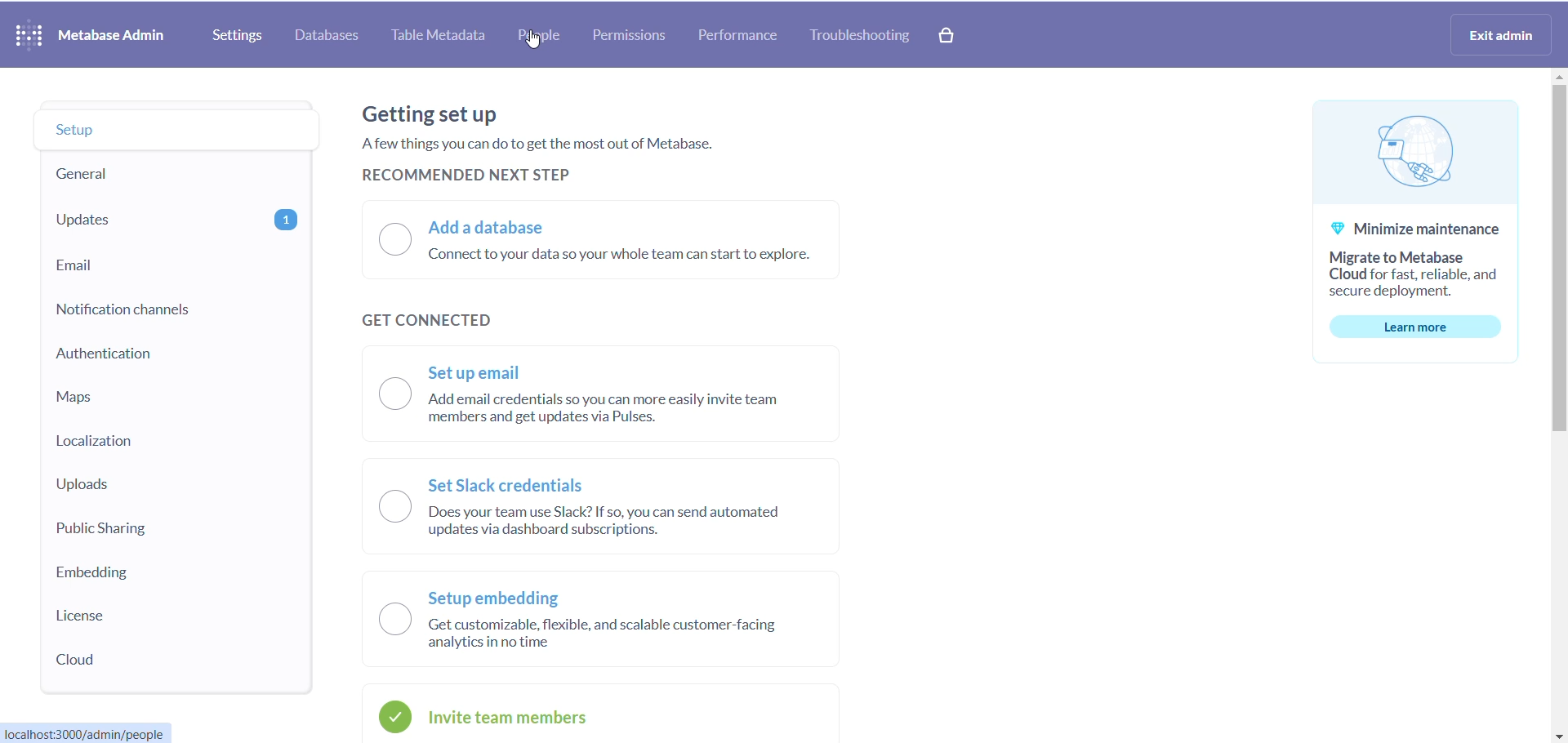 This screenshot has height=743, width=1568. Describe the element at coordinates (159, 621) in the screenshot. I see `license` at that location.